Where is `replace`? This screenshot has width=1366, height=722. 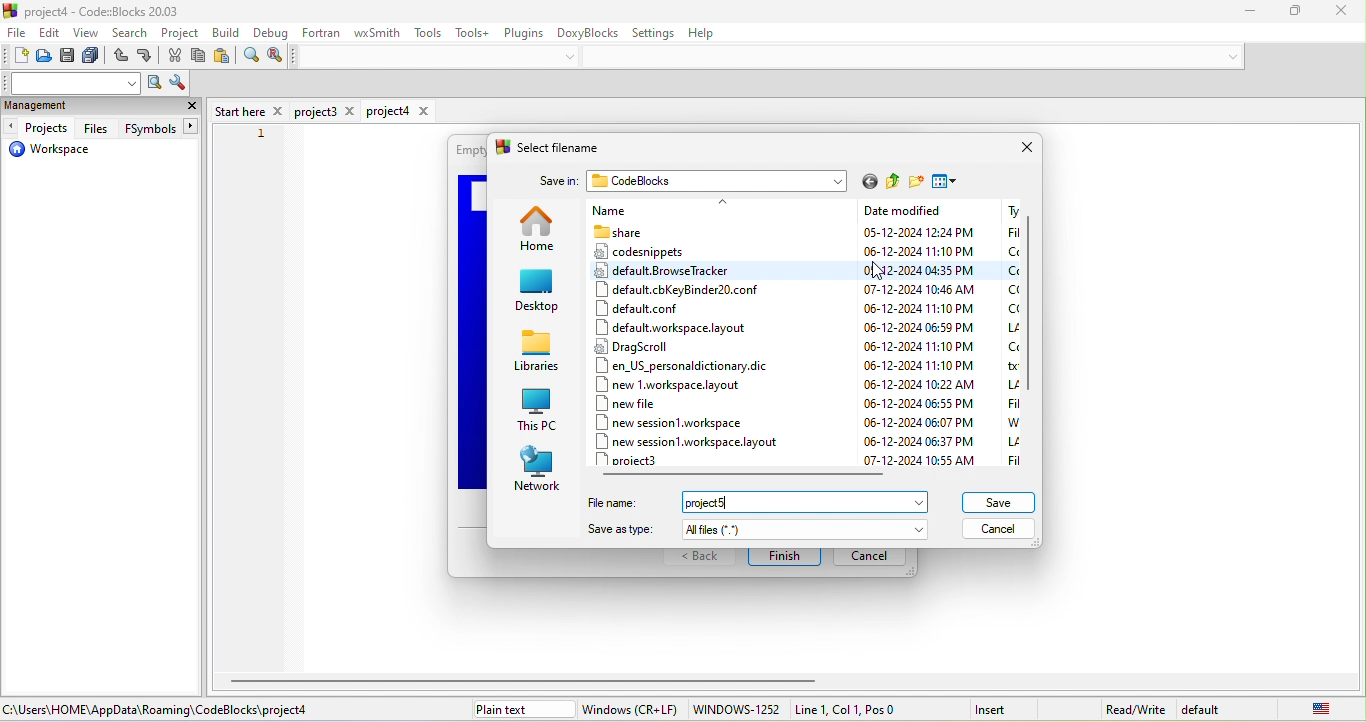 replace is located at coordinates (275, 56).